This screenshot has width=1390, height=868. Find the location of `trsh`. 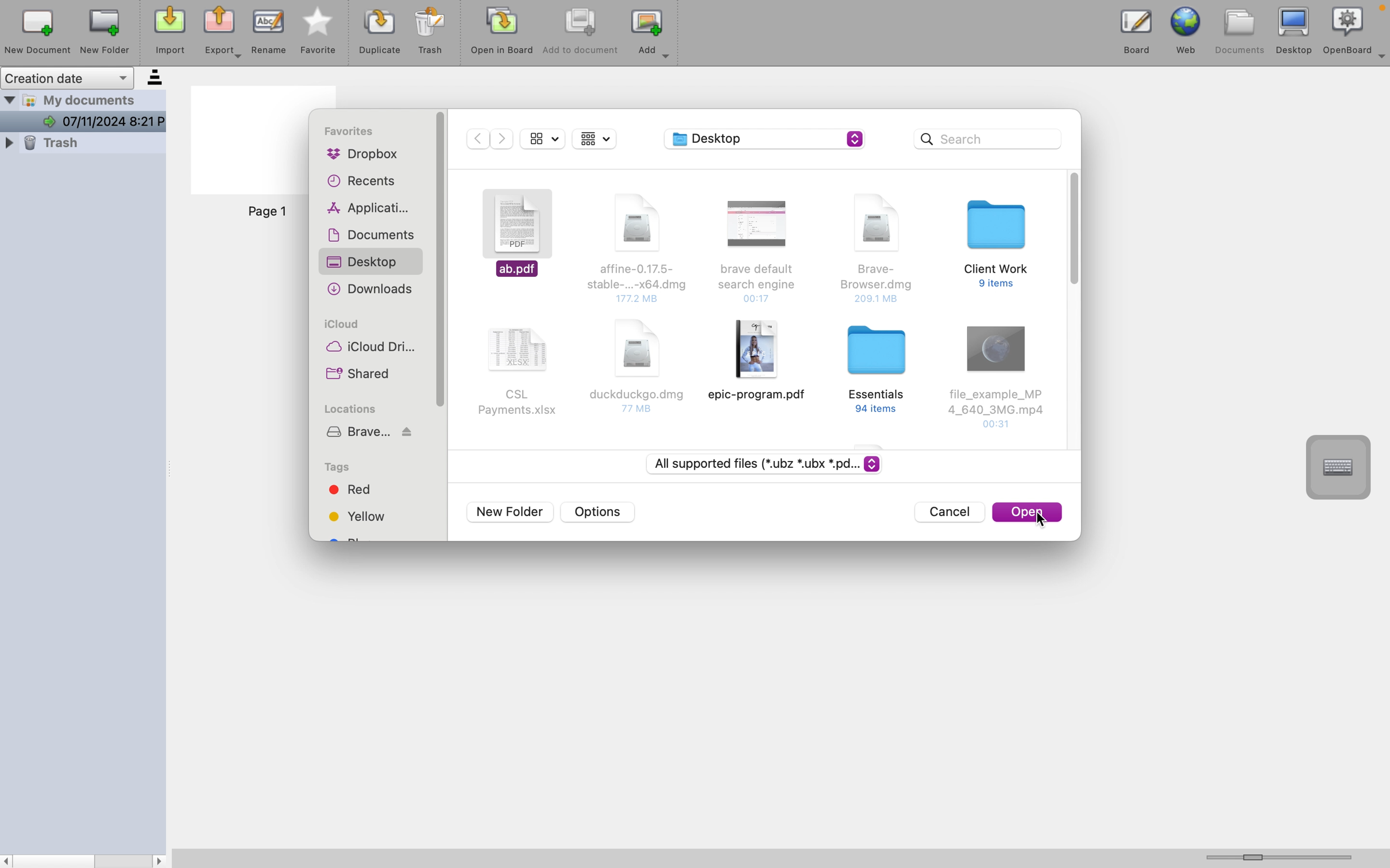

trsh is located at coordinates (80, 142).